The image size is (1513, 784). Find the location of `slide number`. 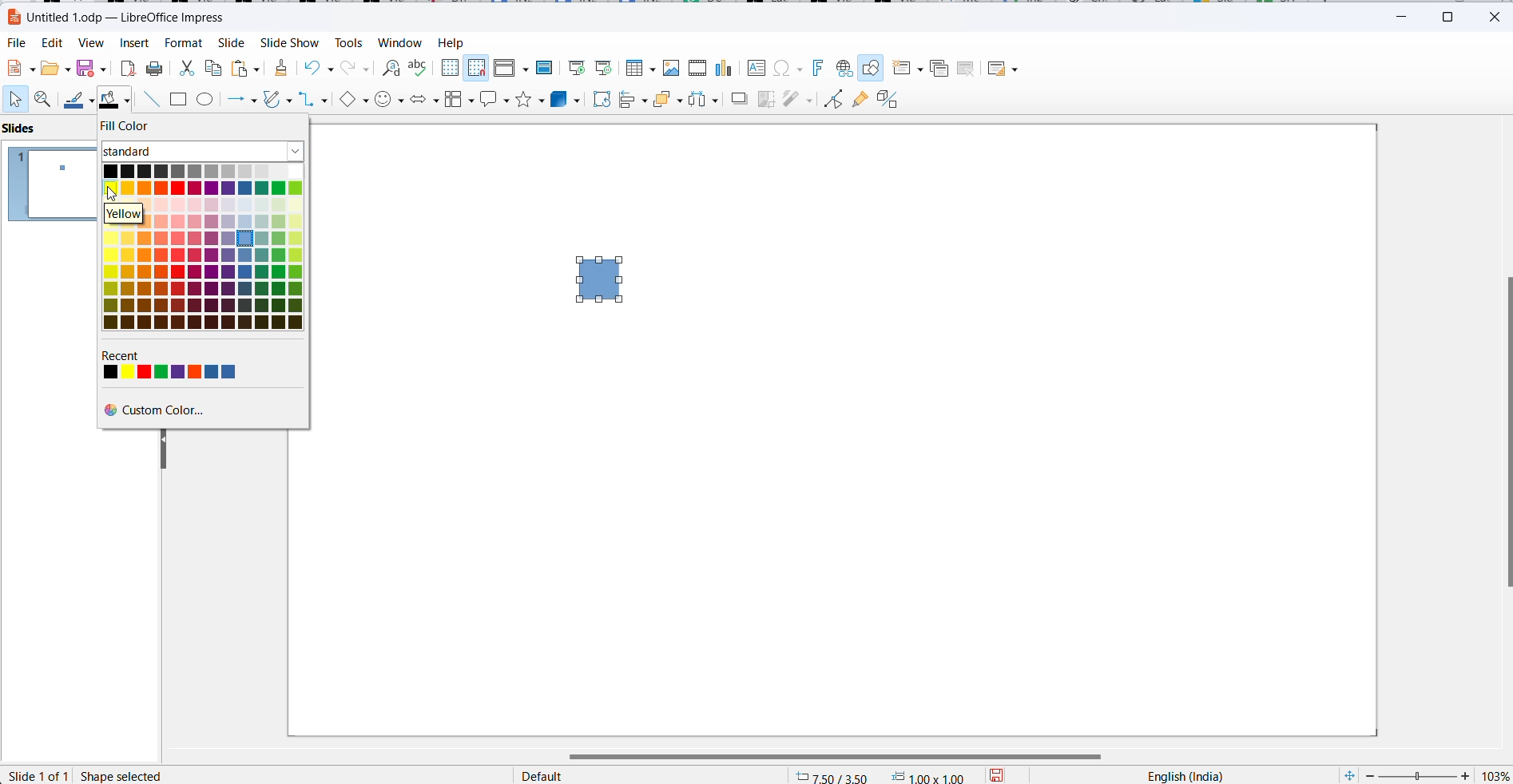

slide number is located at coordinates (40, 775).